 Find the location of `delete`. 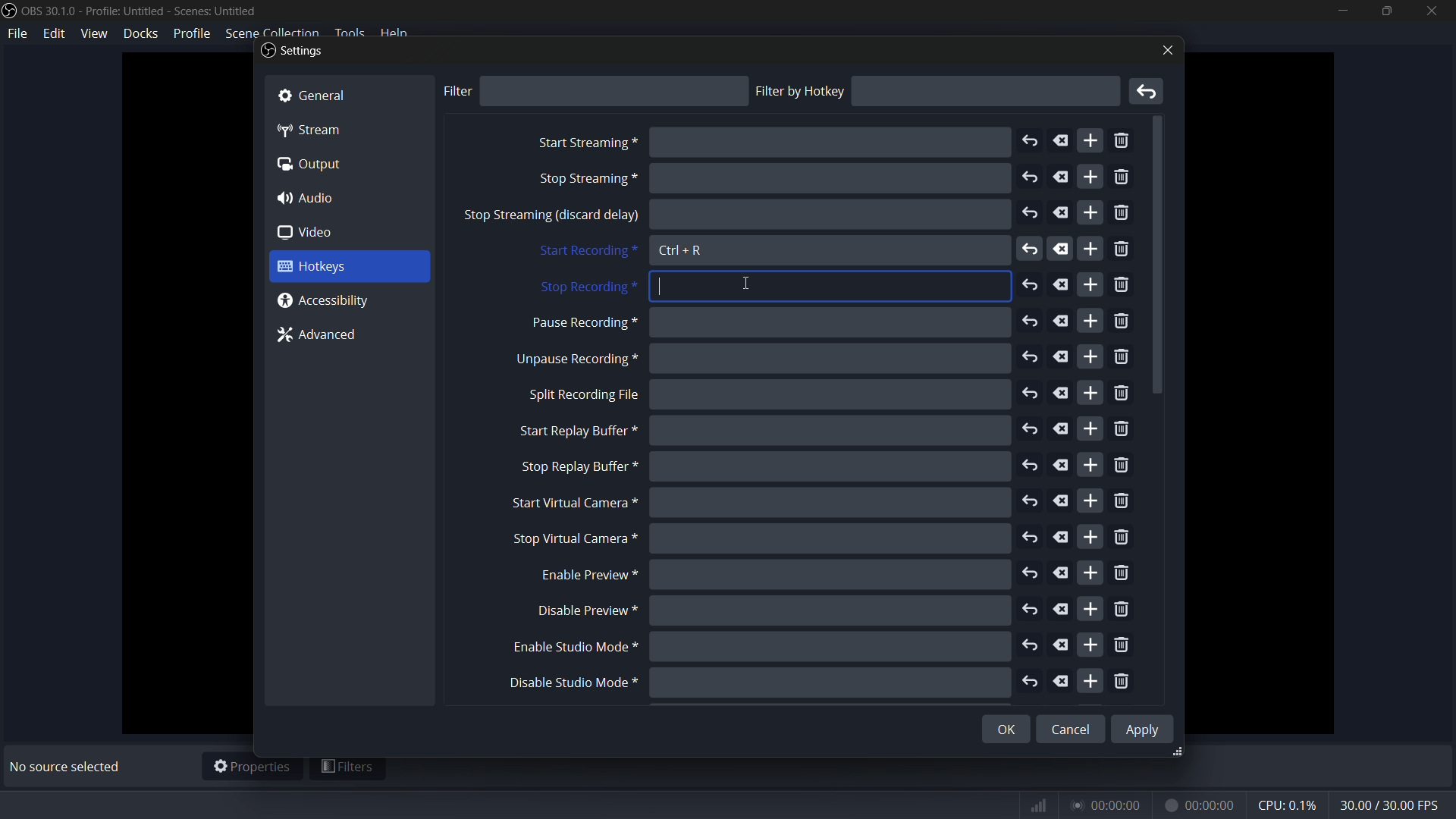

delete is located at coordinates (1063, 682).